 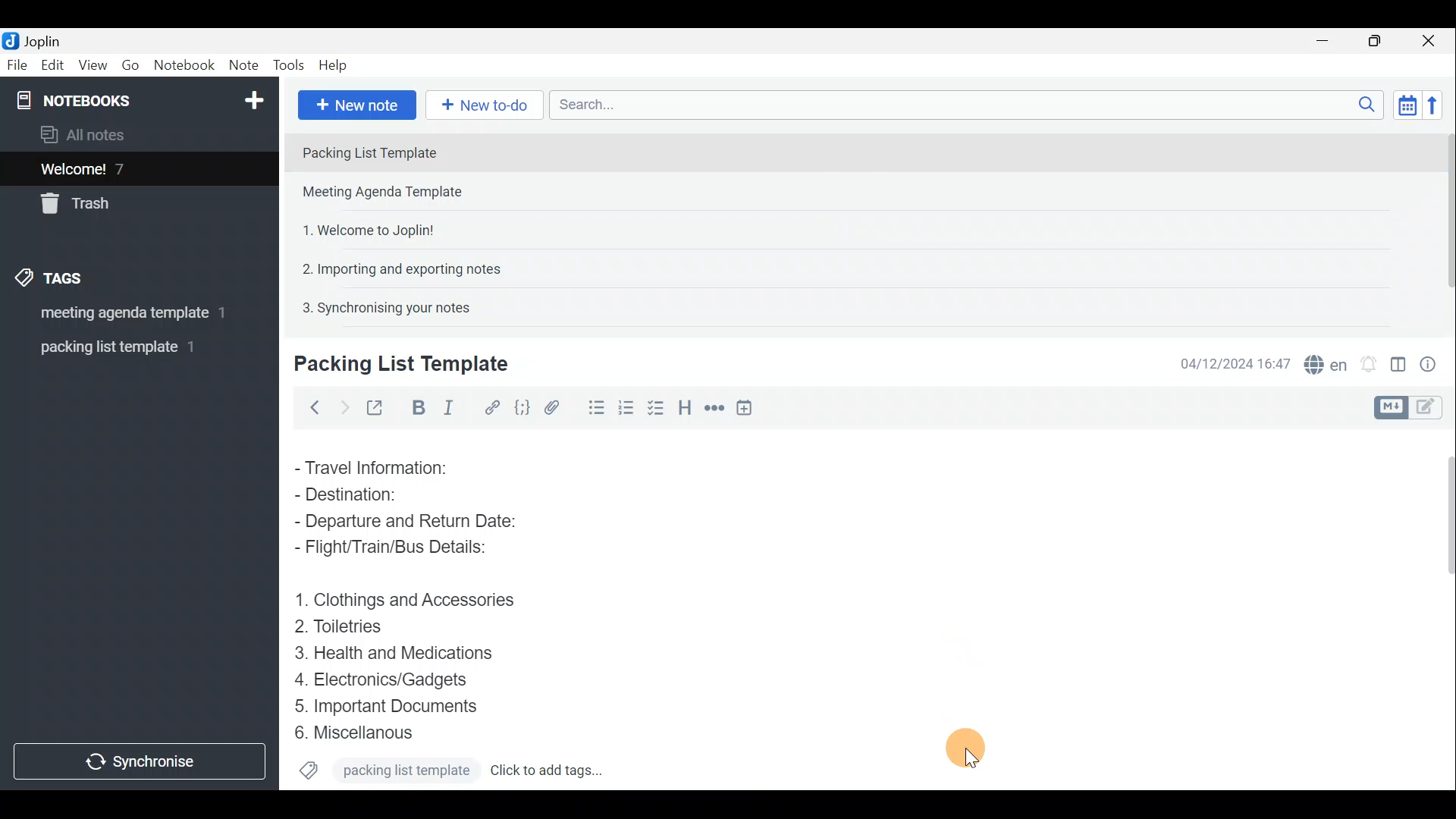 I want to click on Scroll bar, so click(x=1442, y=221).